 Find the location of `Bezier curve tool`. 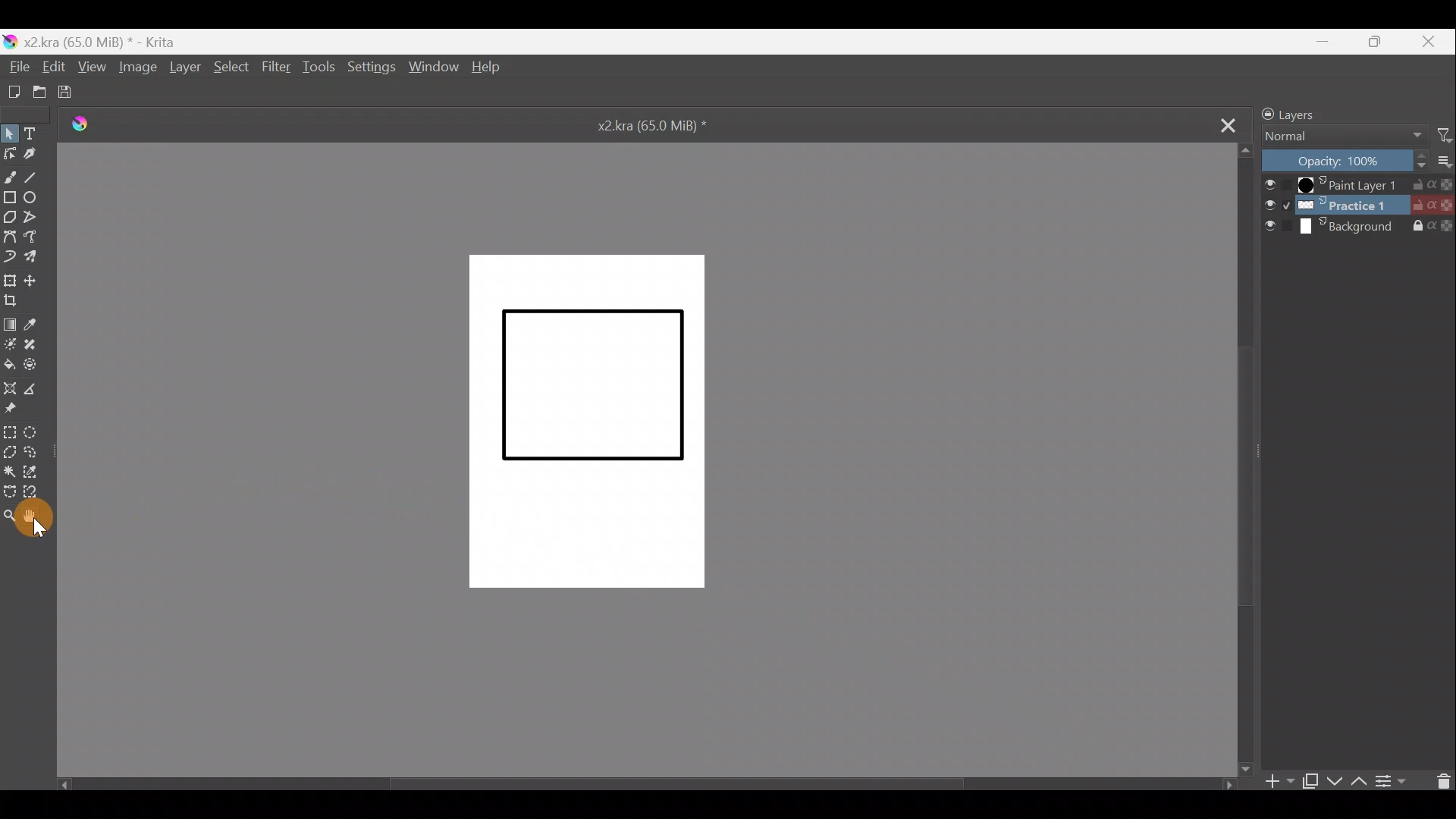

Bezier curve tool is located at coordinates (9, 235).